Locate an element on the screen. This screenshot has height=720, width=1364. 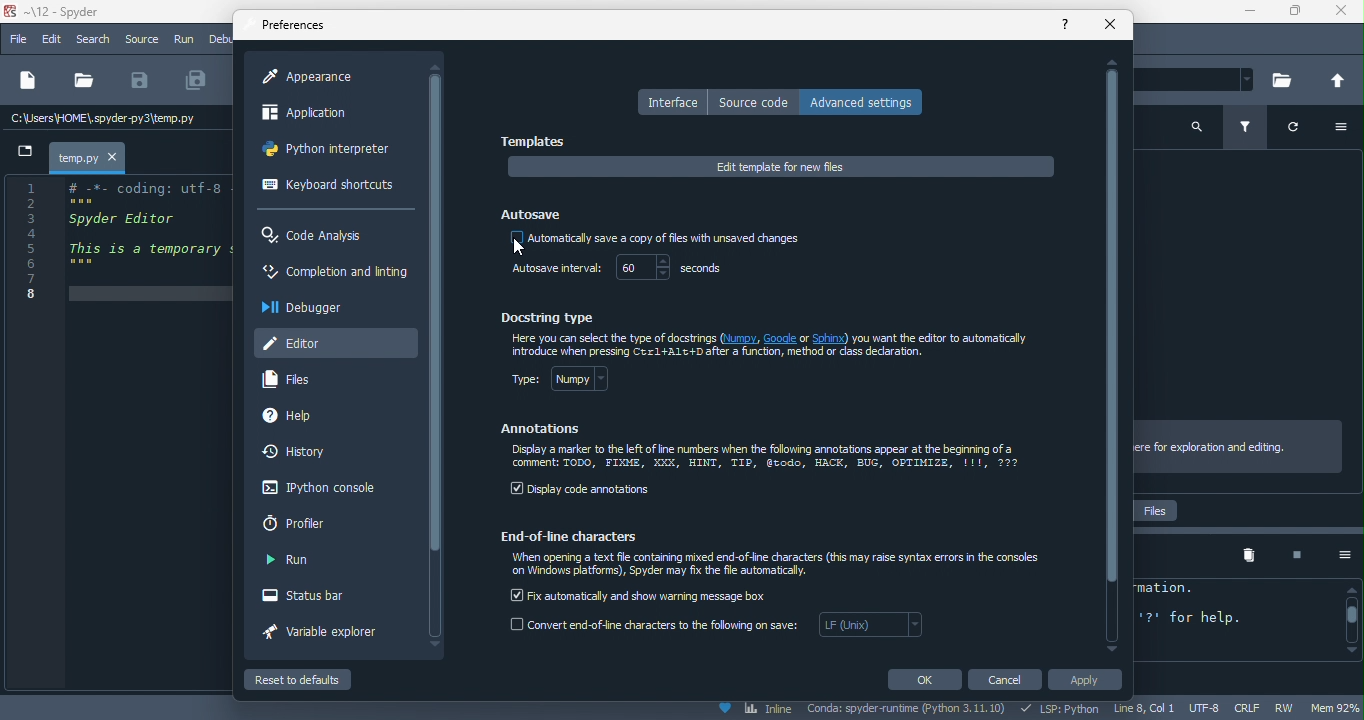
close is located at coordinates (1111, 25).